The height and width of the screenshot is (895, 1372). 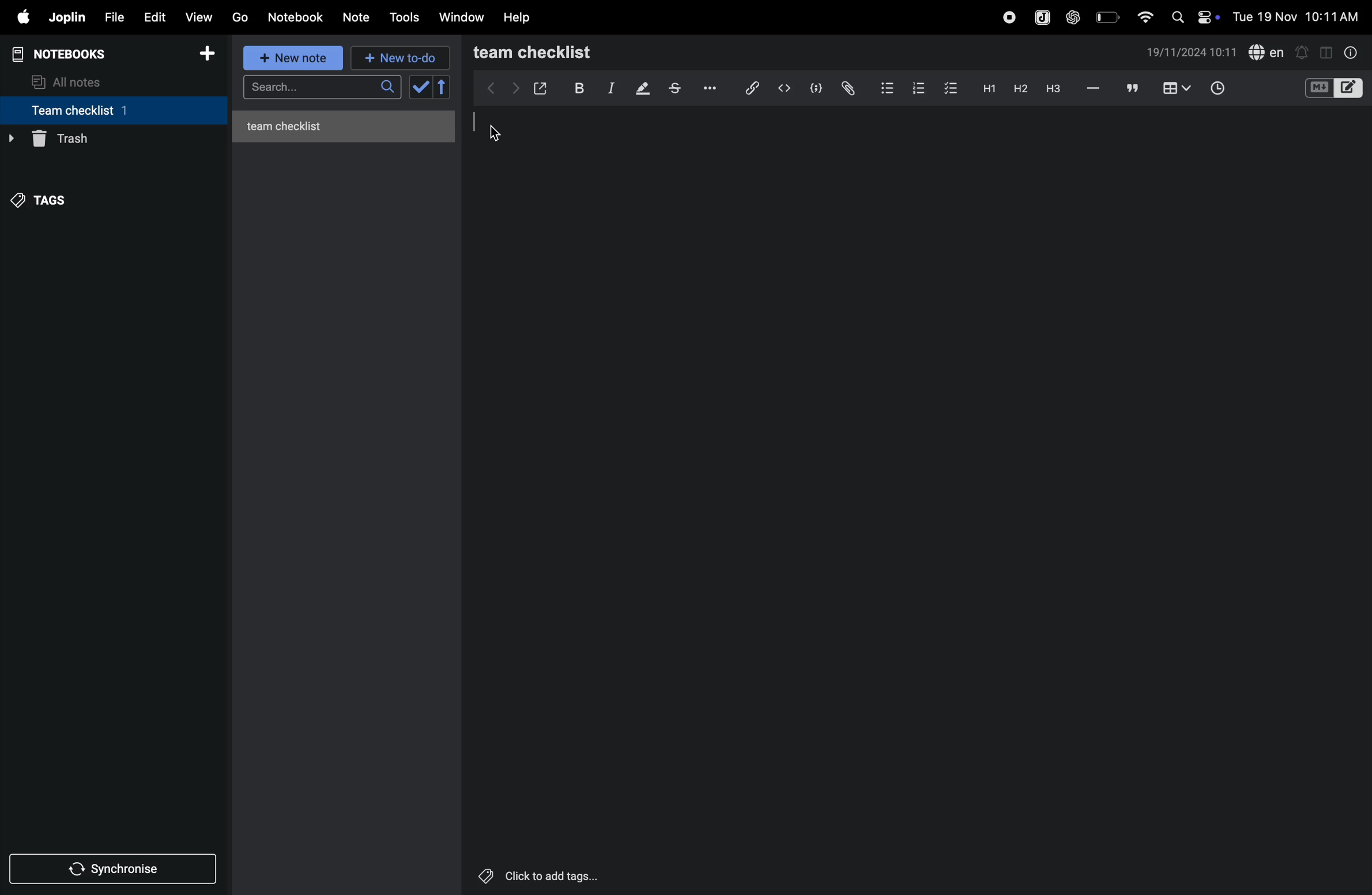 What do you see at coordinates (47, 197) in the screenshot?
I see `tags` at bounding box center [47, 197].